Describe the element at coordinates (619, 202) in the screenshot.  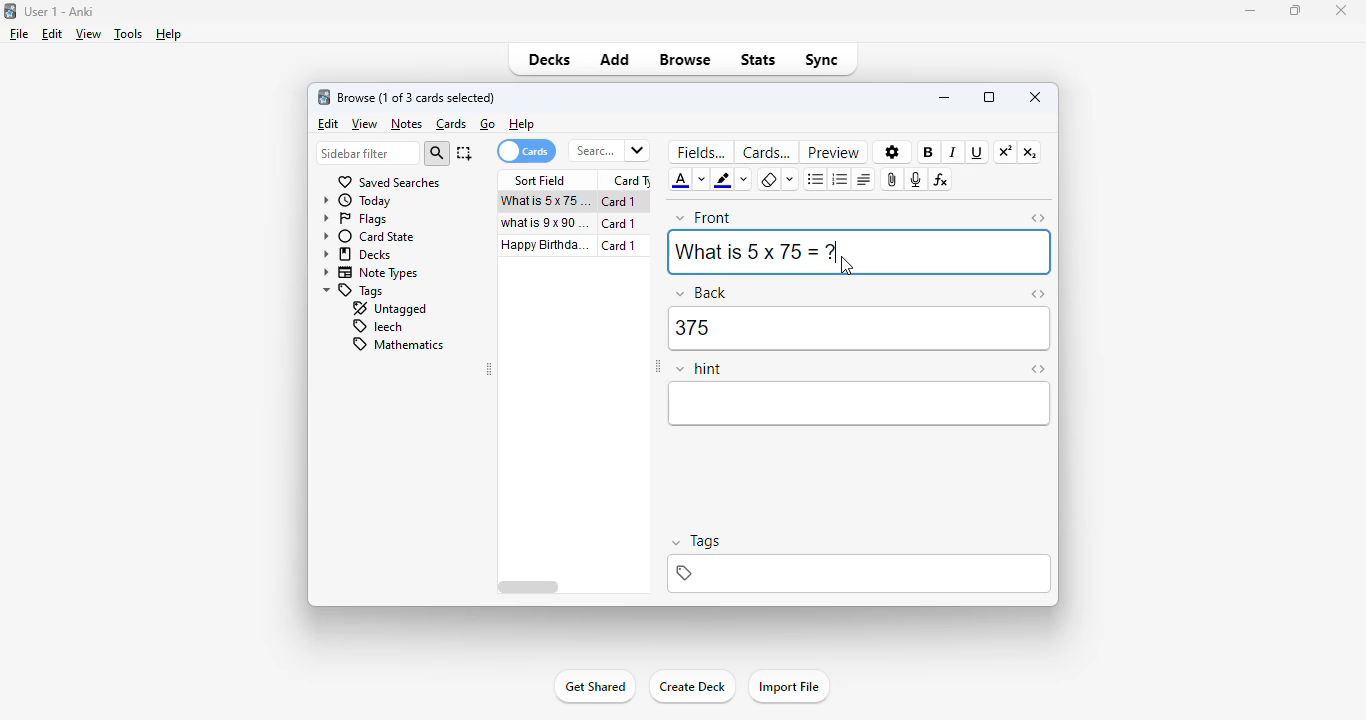
I see `card 1` at that location.